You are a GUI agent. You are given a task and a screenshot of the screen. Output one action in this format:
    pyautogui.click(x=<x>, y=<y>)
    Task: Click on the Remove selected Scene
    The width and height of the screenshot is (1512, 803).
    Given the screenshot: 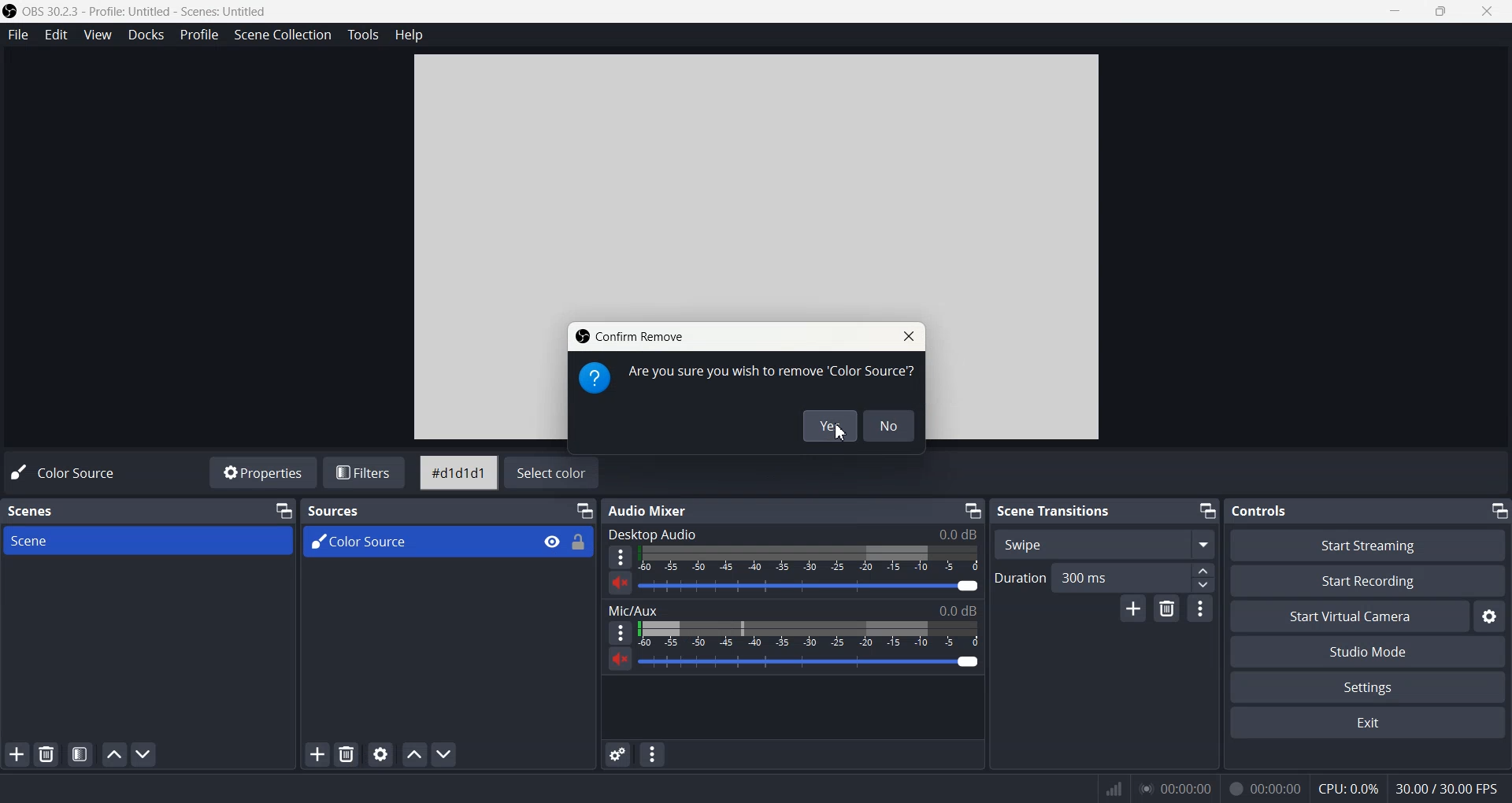 What is the action you would take?
    pyautogui.click(x=47, y=754)
    